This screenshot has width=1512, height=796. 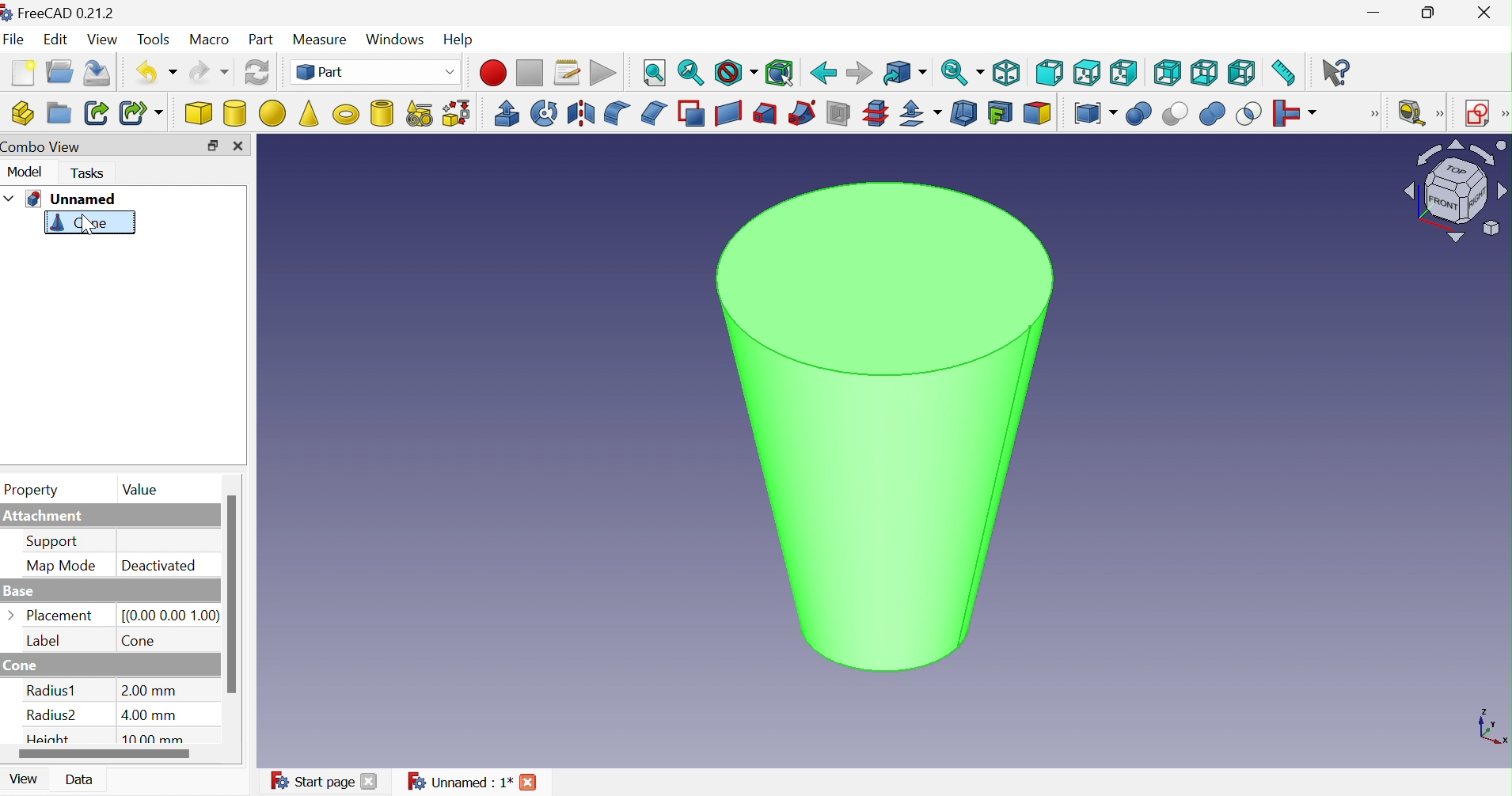 I want to click on Windows, so click(x=396, y=38).